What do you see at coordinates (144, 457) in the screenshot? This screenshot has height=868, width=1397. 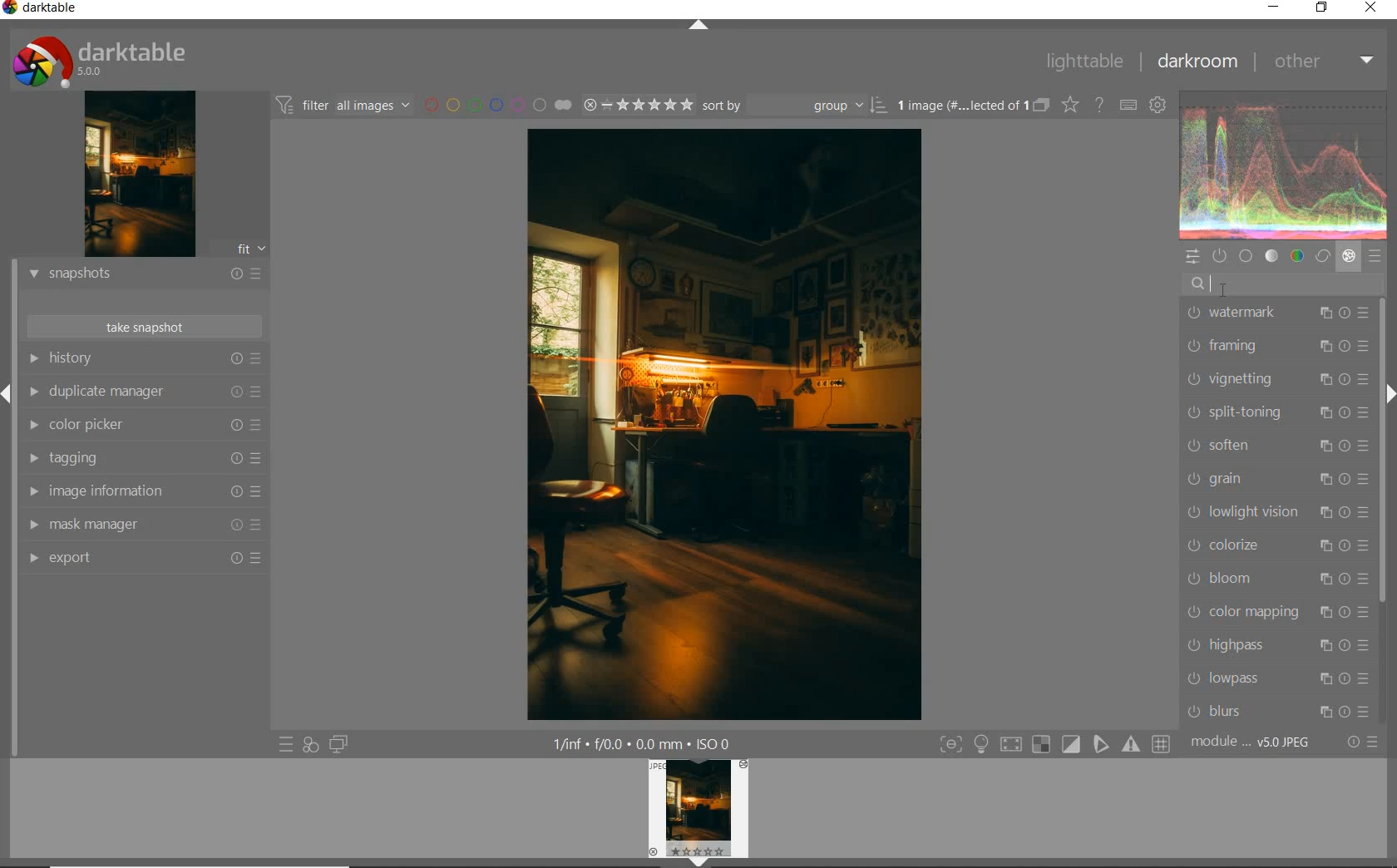 I see `tagging` at bounding box center [144, 457].